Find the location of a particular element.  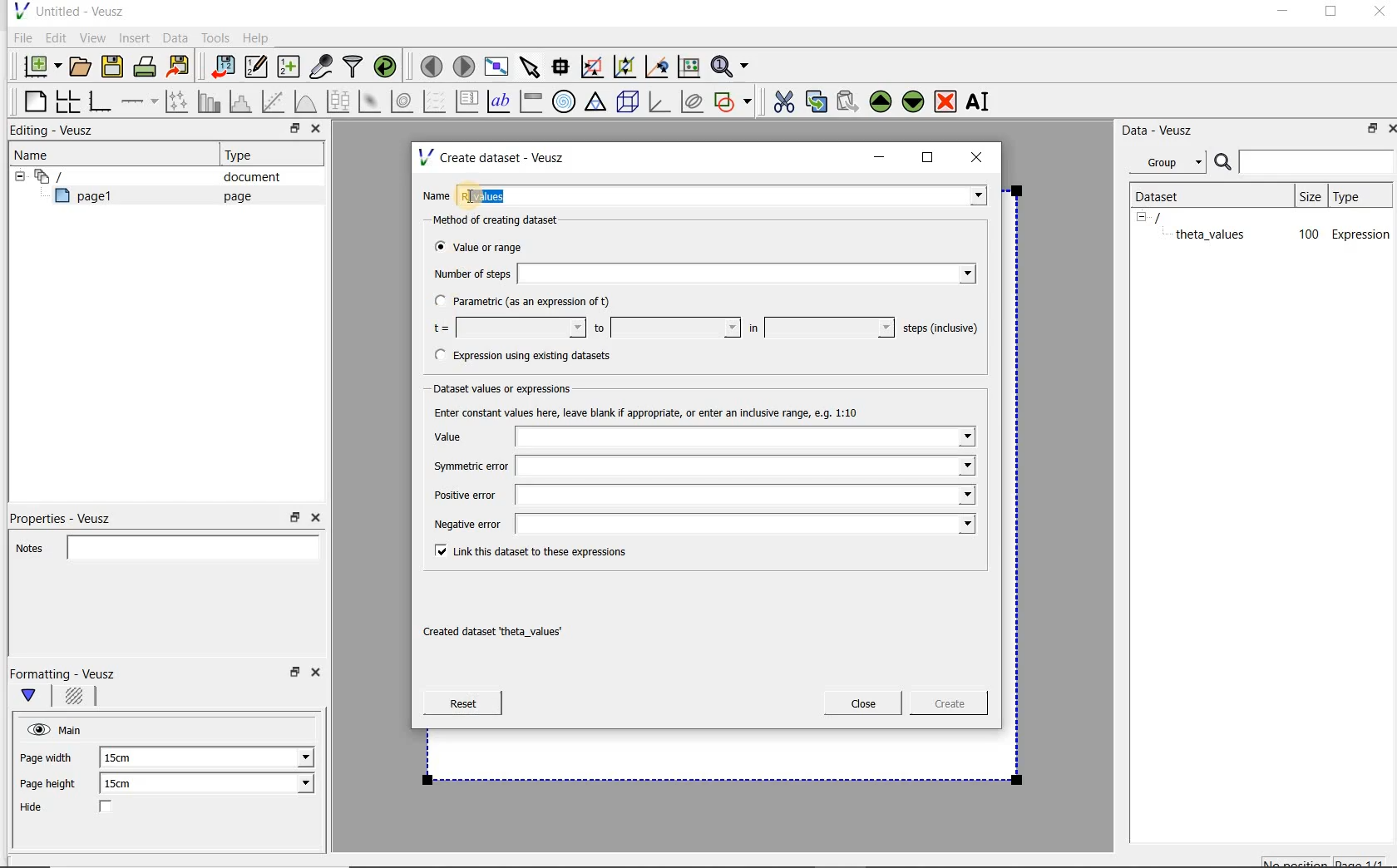

Main formatting is located at coordinates (36, 697).